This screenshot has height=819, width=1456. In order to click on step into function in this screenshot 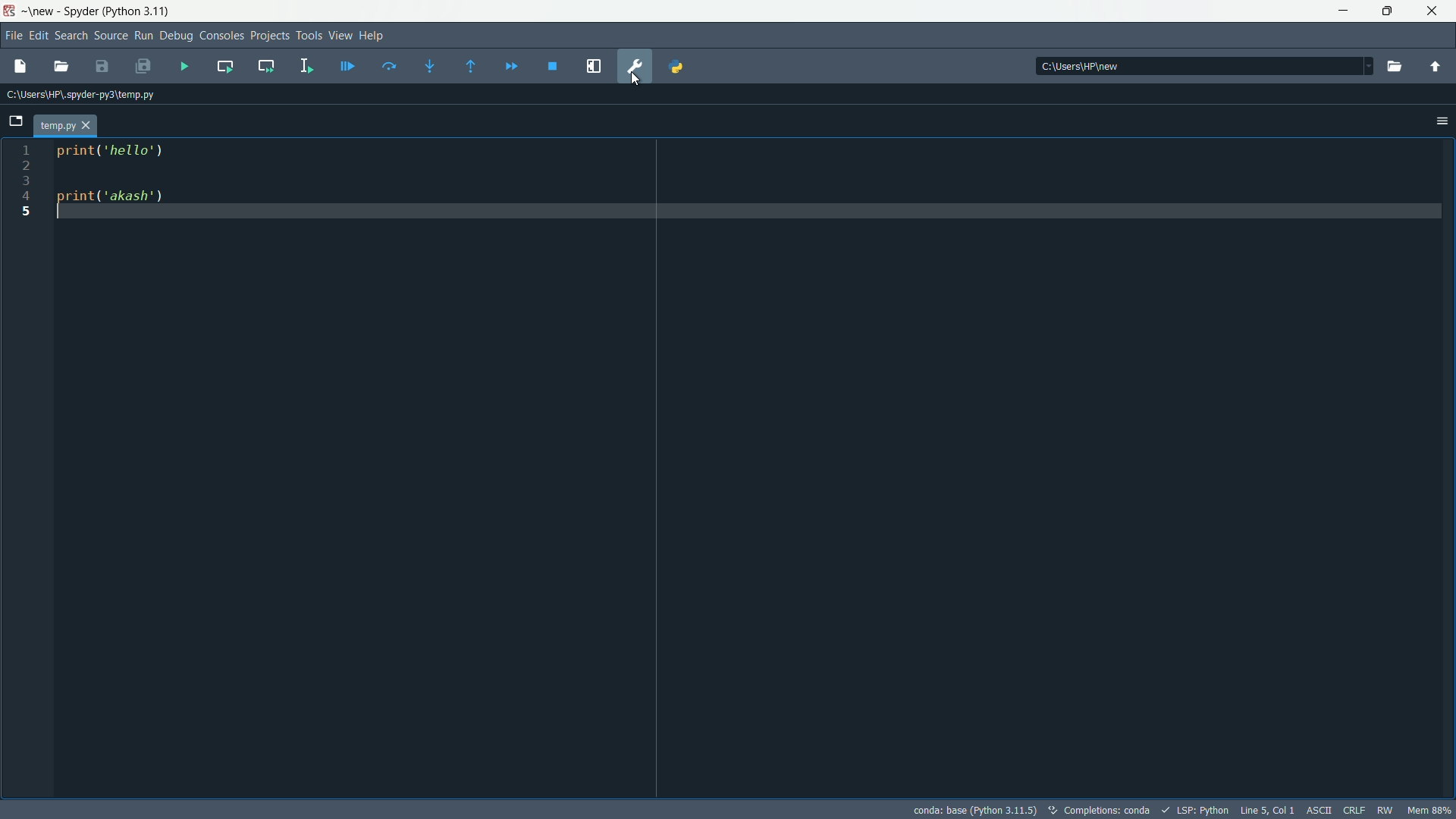, I will do `click(431, 64)`.